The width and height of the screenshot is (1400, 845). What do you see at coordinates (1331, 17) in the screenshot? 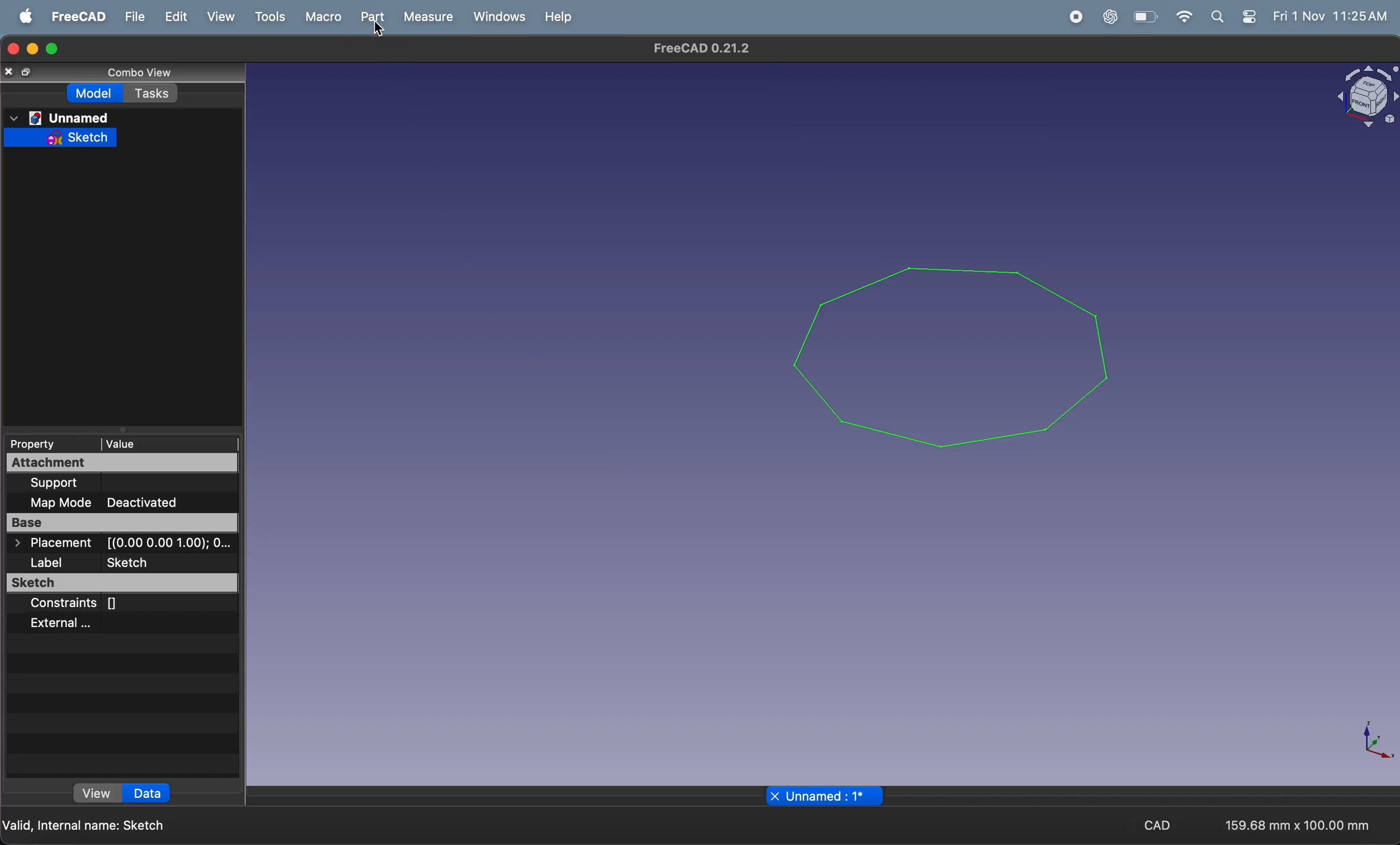
I see `Fri 1 Nov 11:25 AM` at bounding box center [1331, 17].